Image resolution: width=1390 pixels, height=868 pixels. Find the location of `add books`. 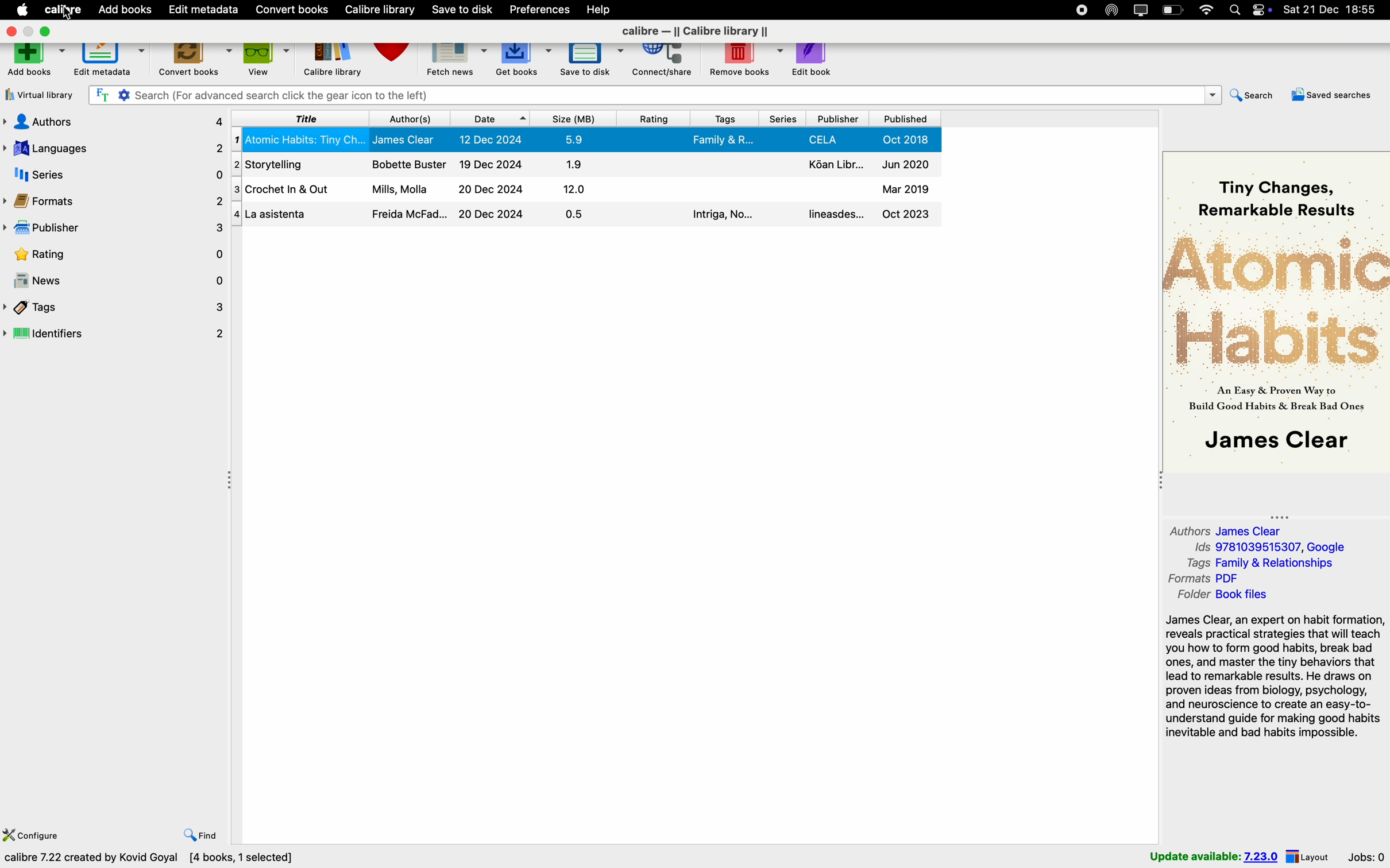

add books is located at coordinates (34, 63).